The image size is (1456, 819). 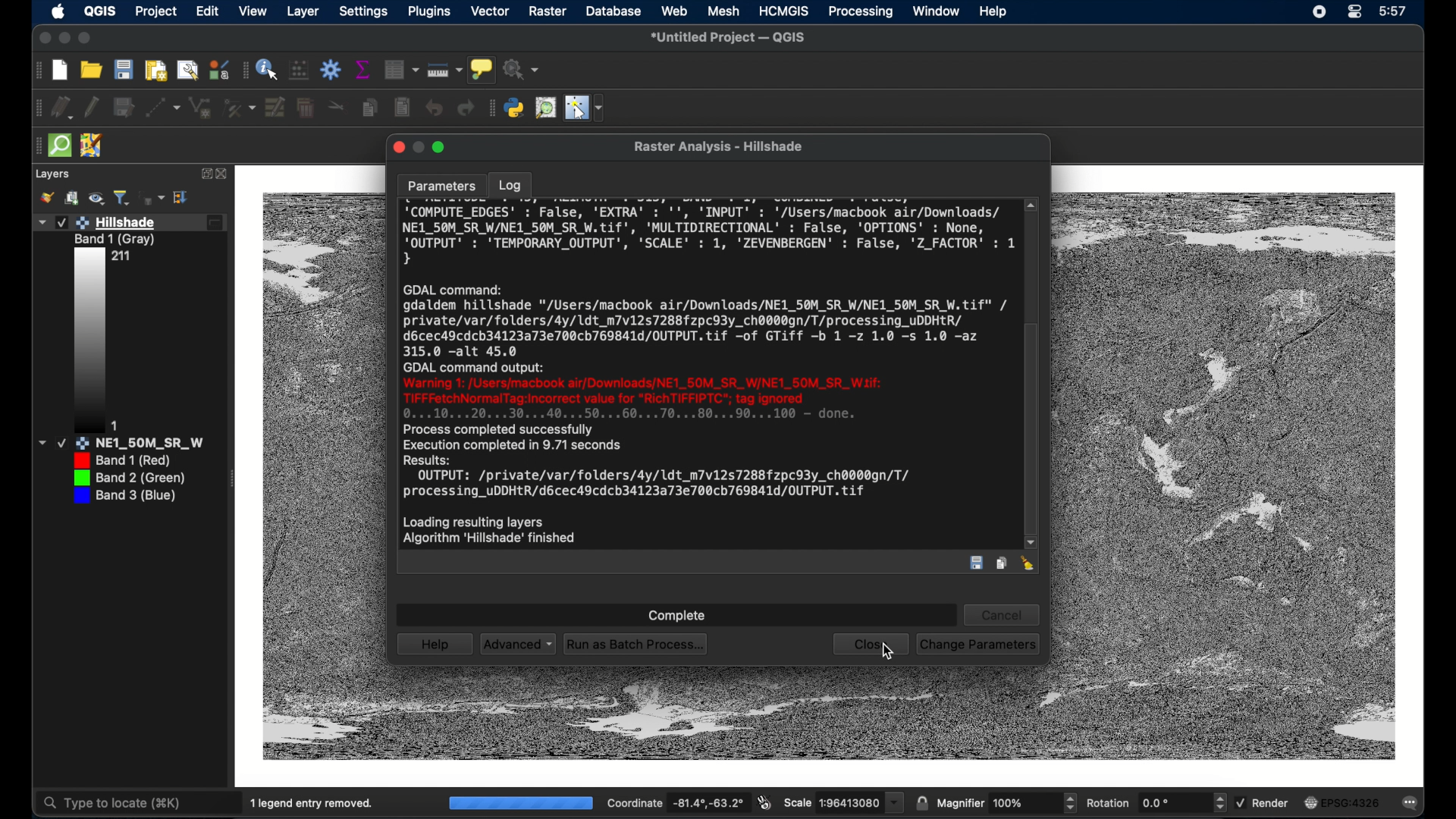 I want to click on cursor, so click(x=887, y=652).